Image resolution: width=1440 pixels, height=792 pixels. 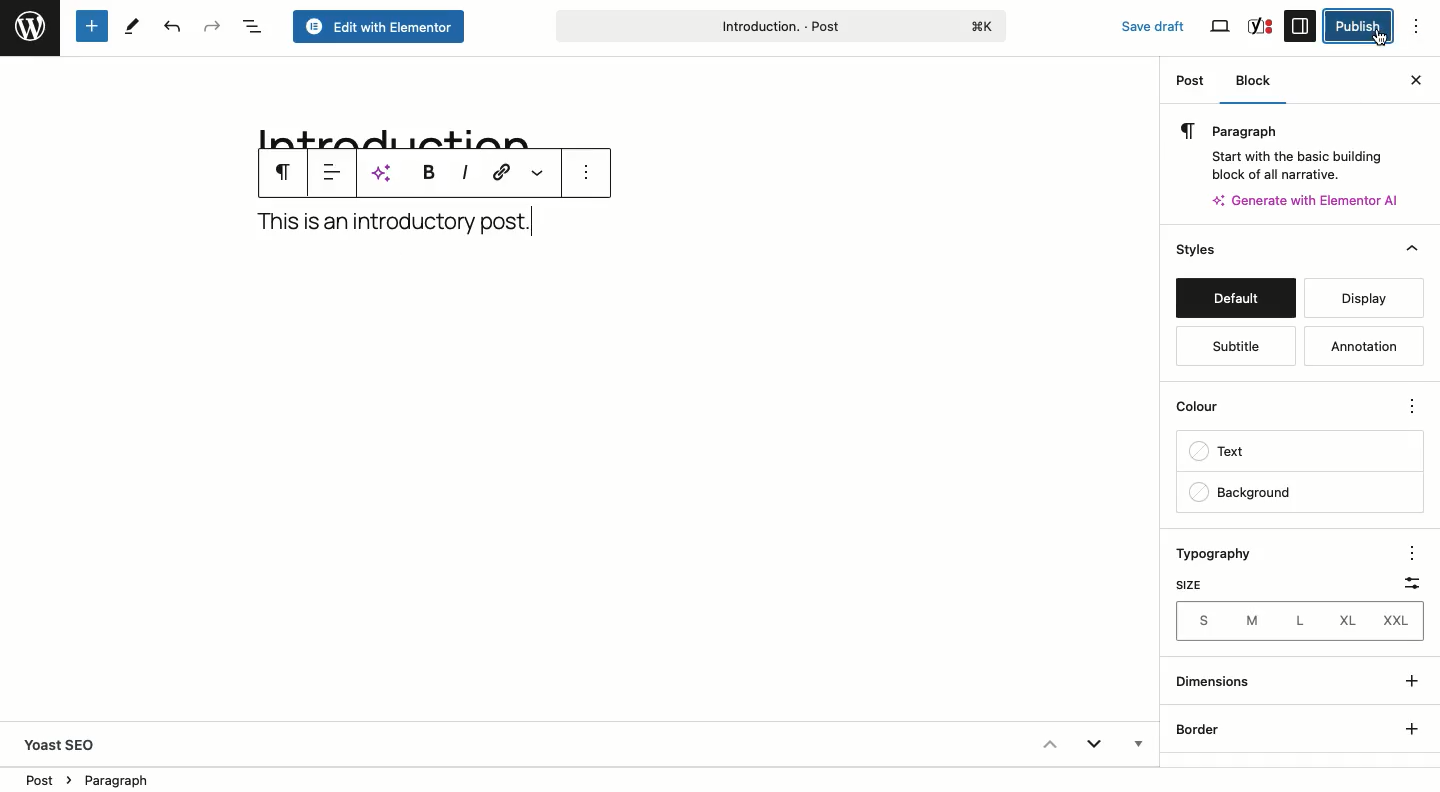 I want to click on Redo, so click(x=213, y=26).